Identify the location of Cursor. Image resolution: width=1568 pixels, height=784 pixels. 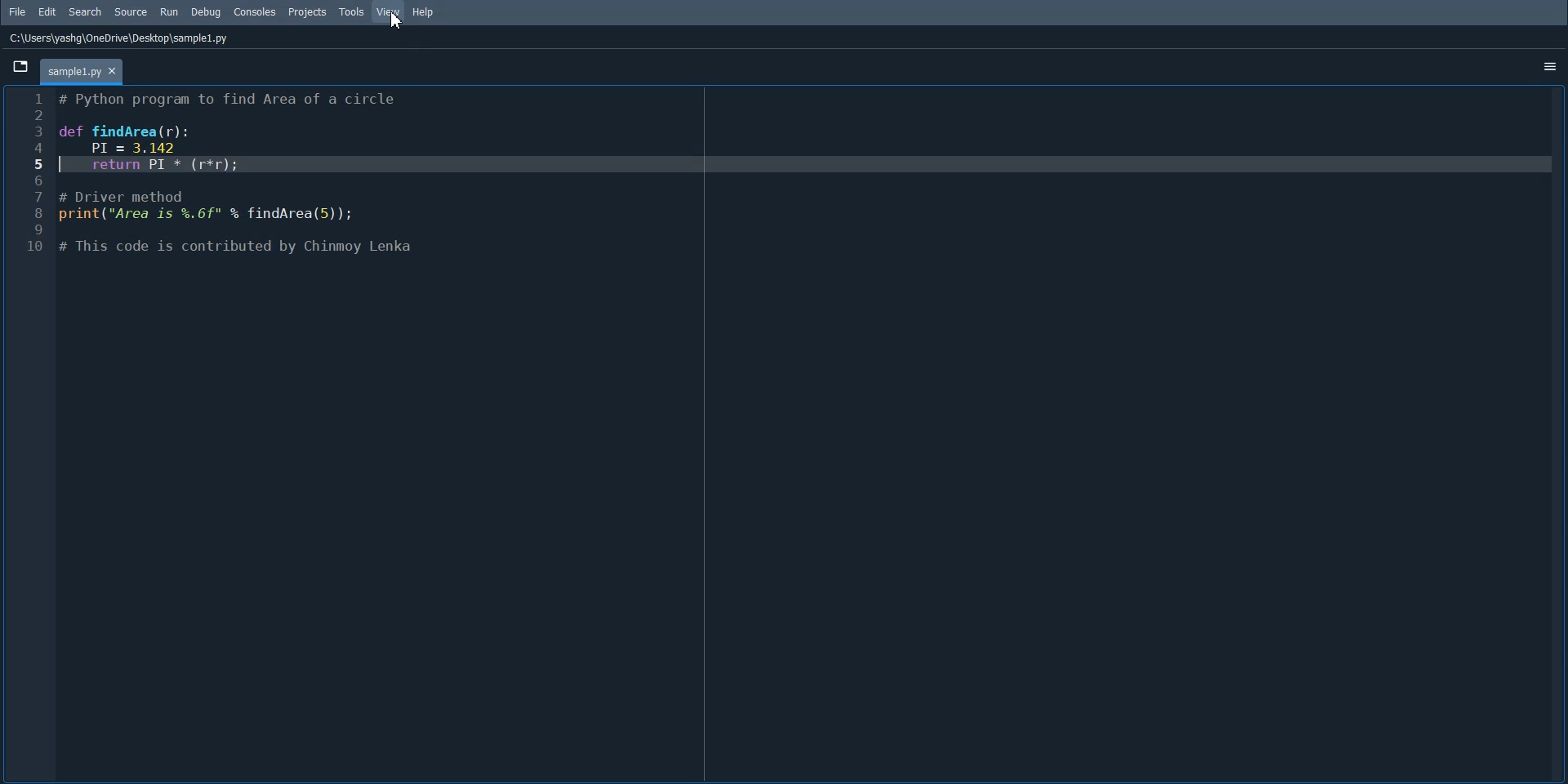
(396, 20).